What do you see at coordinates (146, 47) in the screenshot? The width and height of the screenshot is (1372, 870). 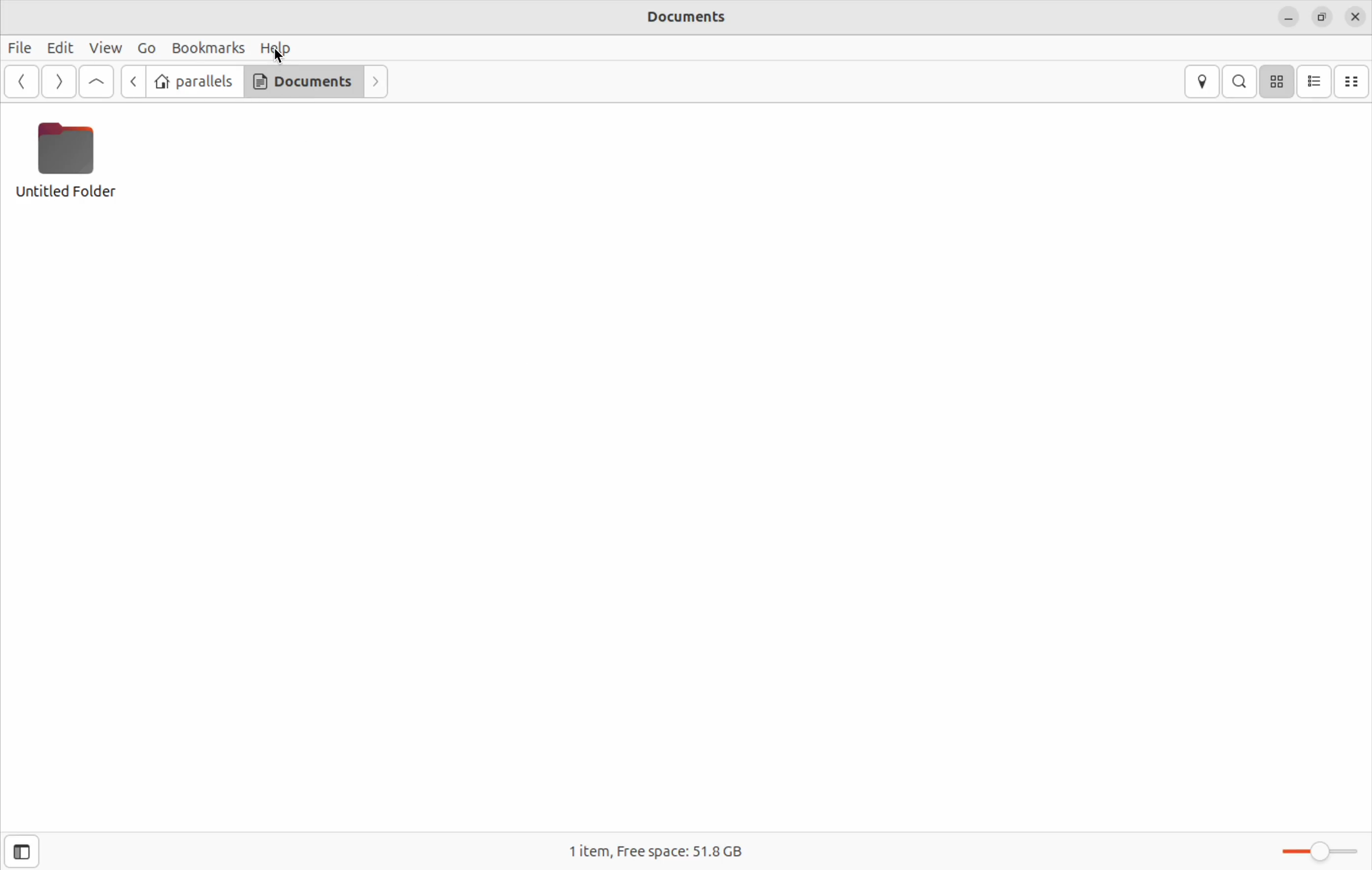 I see `Go` at bounding box center [146, 47].